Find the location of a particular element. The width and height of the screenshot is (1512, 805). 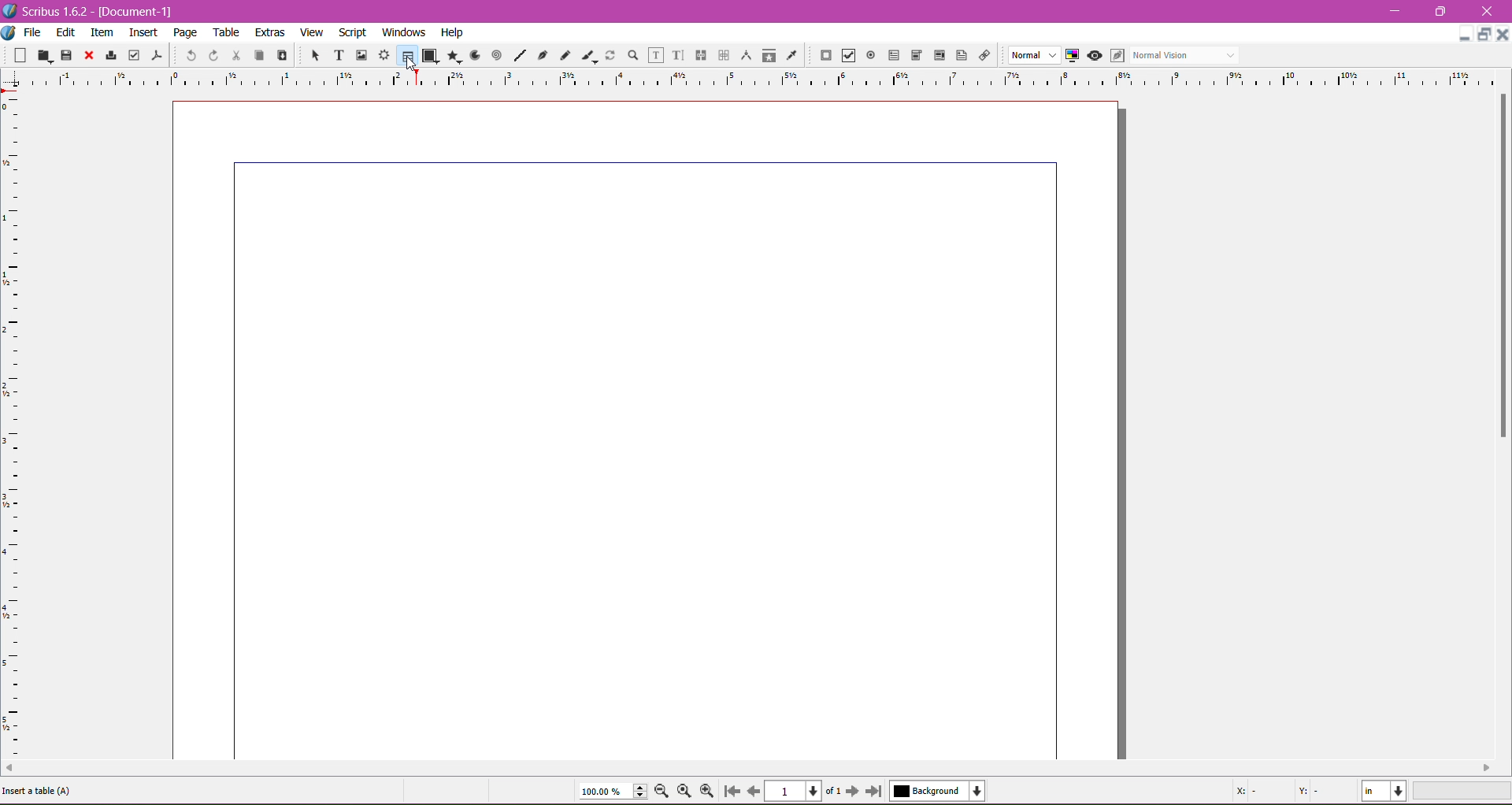

Copy Item Properties is located at coordinates (769, 54).